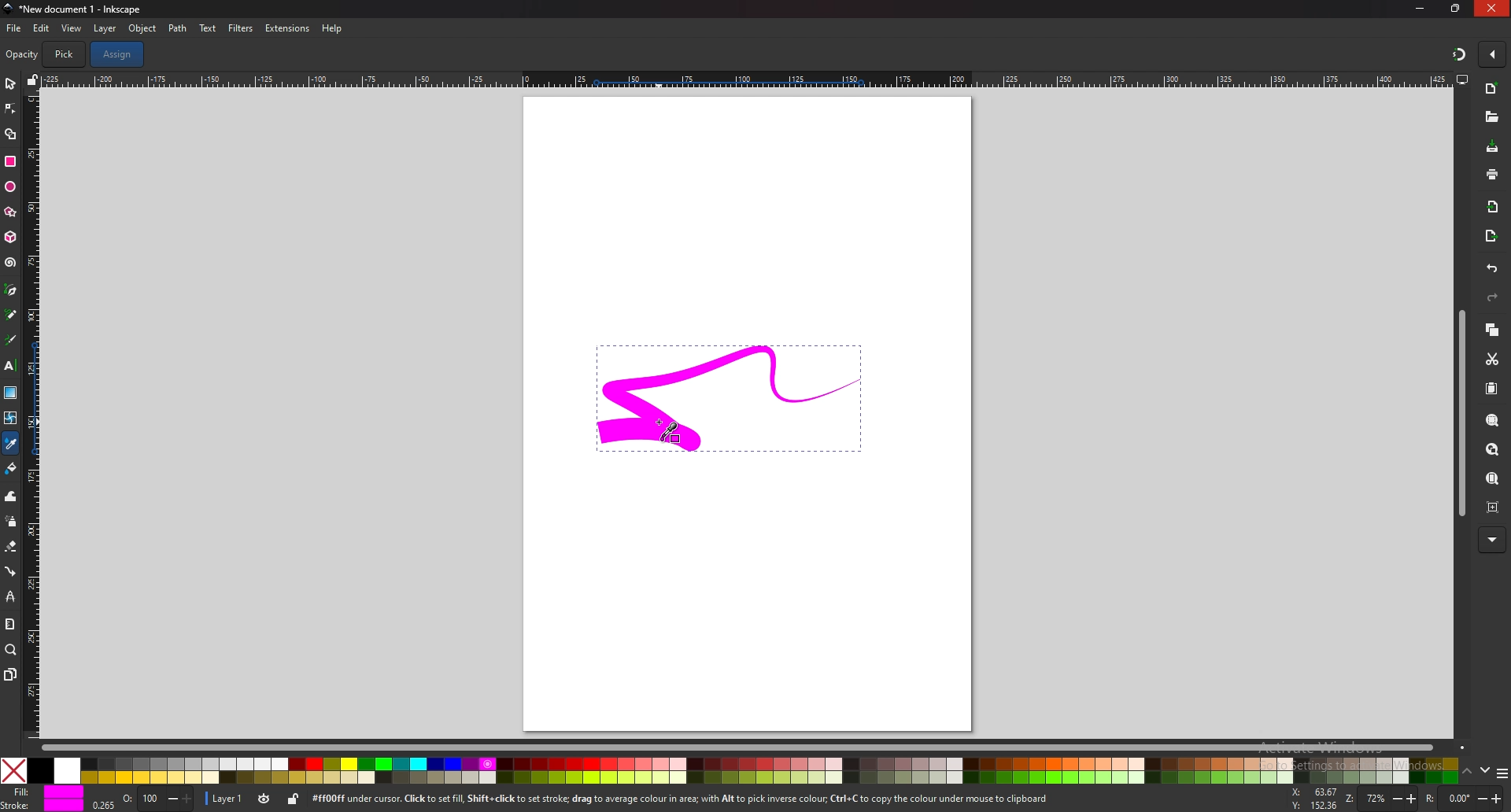 The image size is (1511, 812). What do you see at coordinates (11, 364) in the screenshot?
I see `text` at bounding box center [11, 364].